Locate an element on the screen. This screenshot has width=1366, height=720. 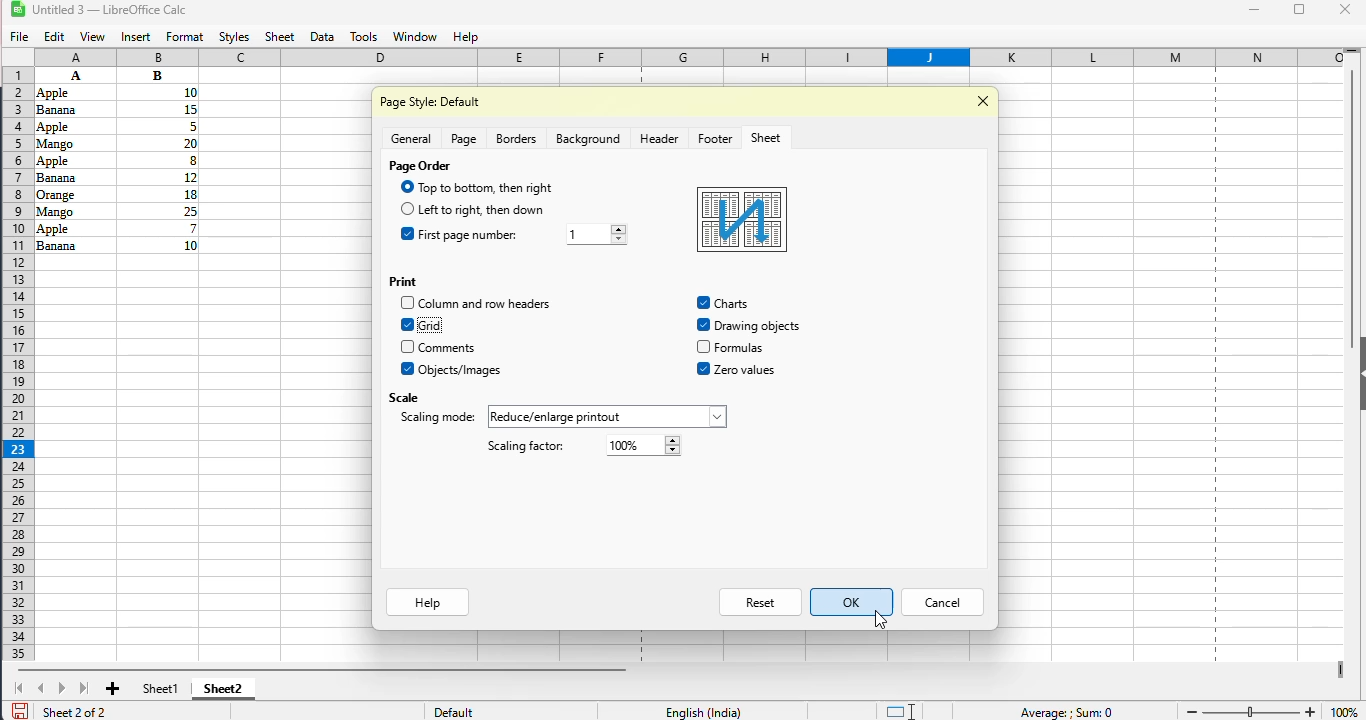
 is located at coordinates (157, 109).